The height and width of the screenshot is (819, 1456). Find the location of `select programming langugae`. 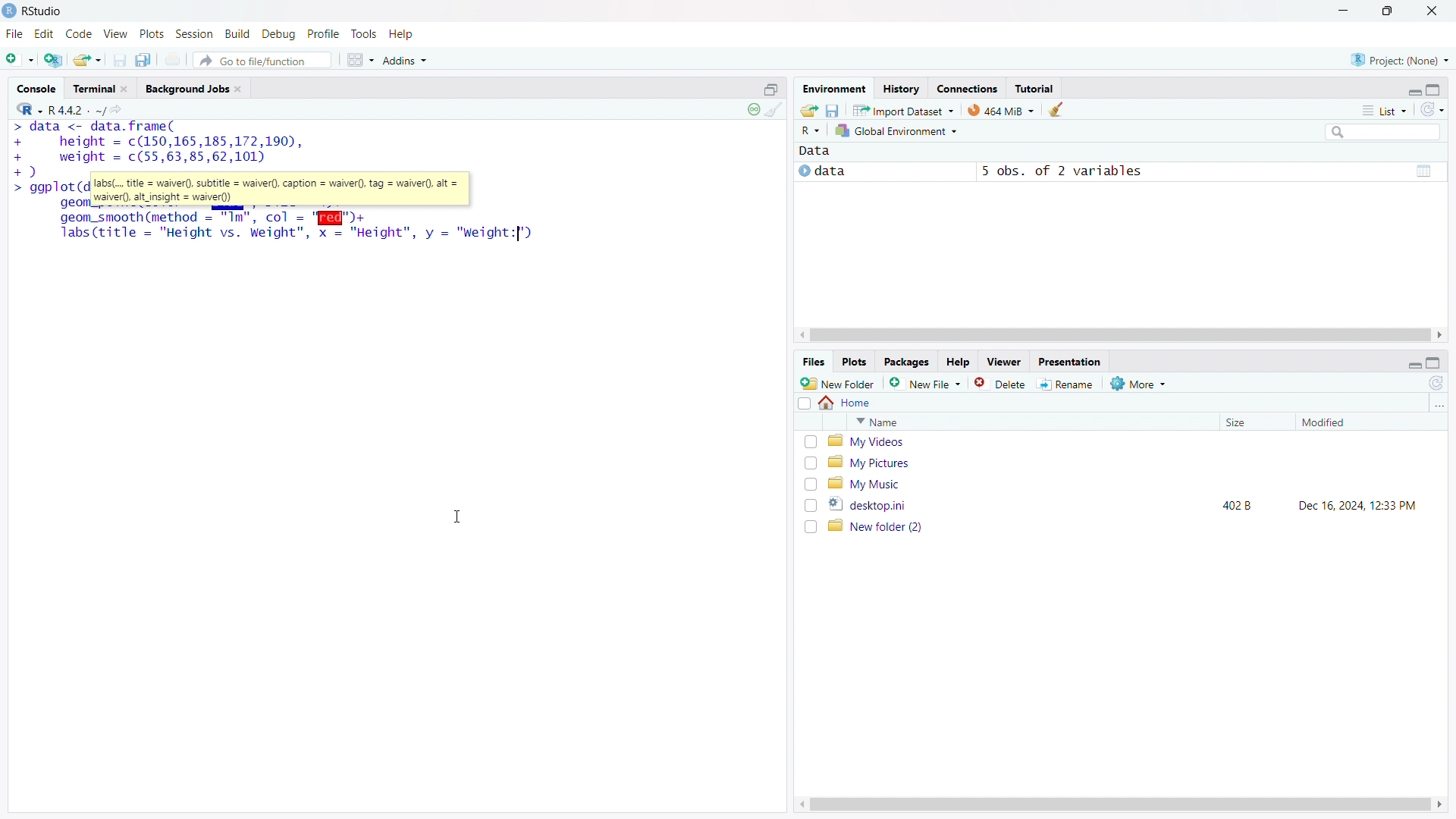

select programming langugae is located at coordinates (811, 130).